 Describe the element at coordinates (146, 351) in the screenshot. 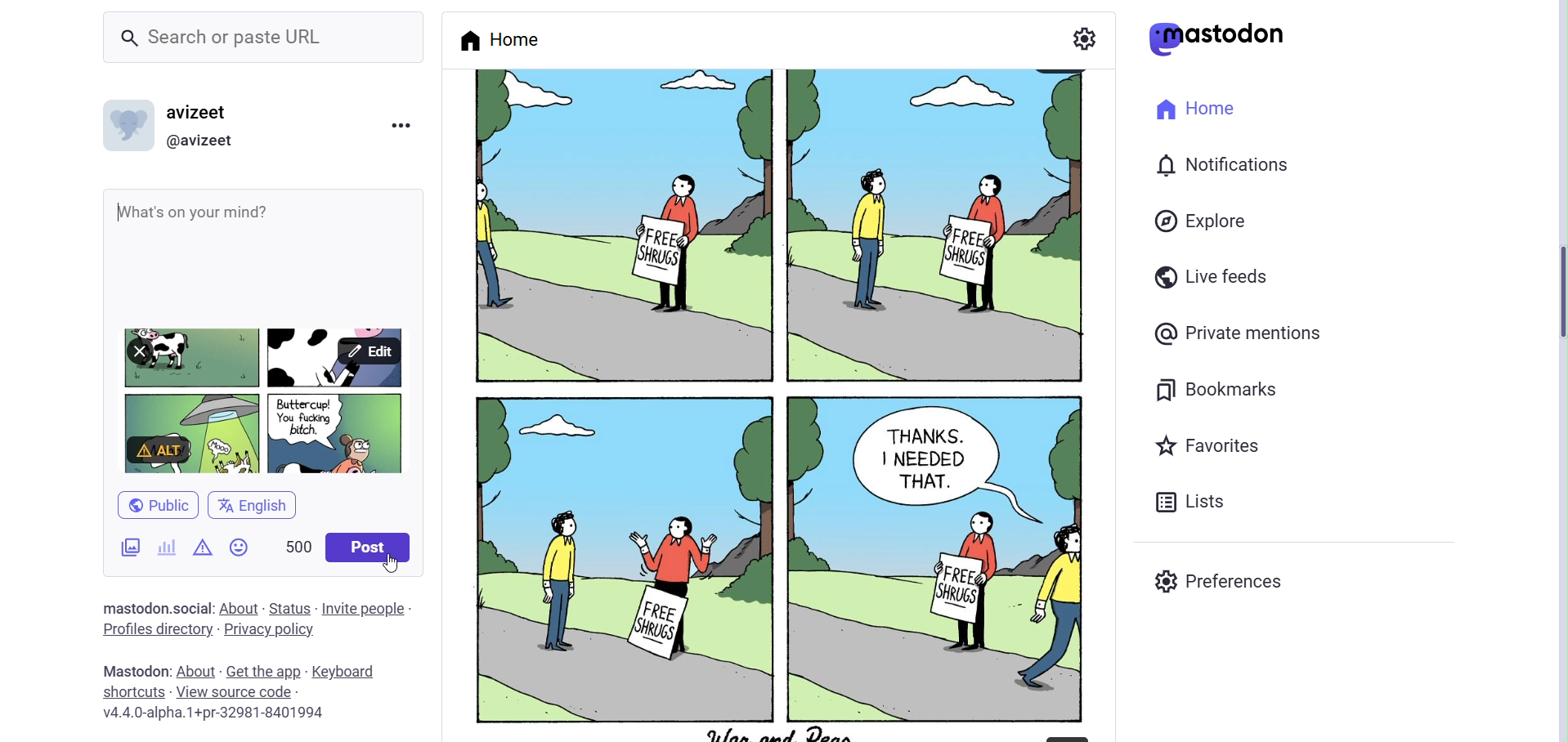

I see `Close` at that location.